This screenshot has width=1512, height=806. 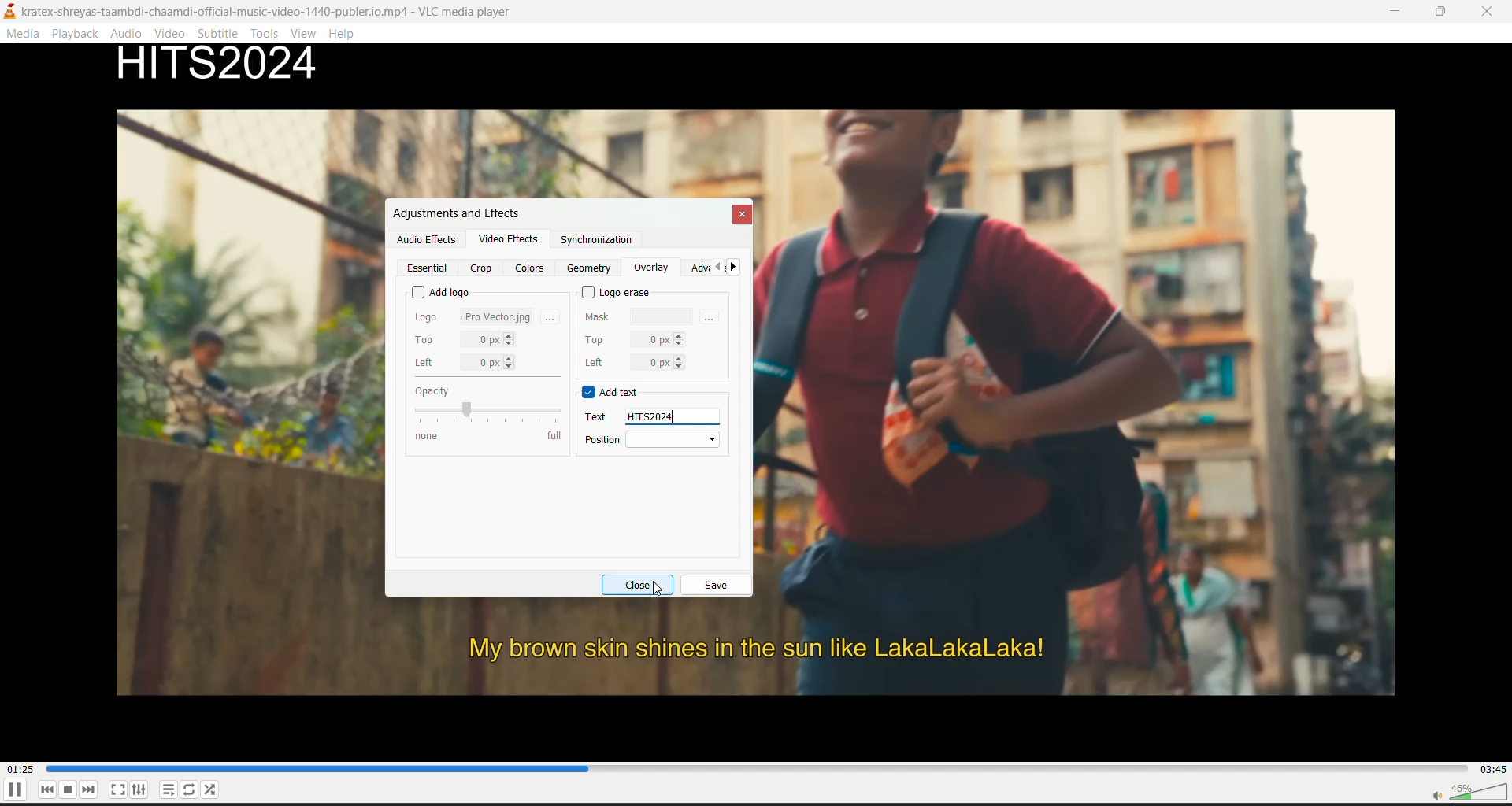 What do you see at coordinates (232, 72) in the screenshot?
I see `watermark` at bounding box center [232, 72].